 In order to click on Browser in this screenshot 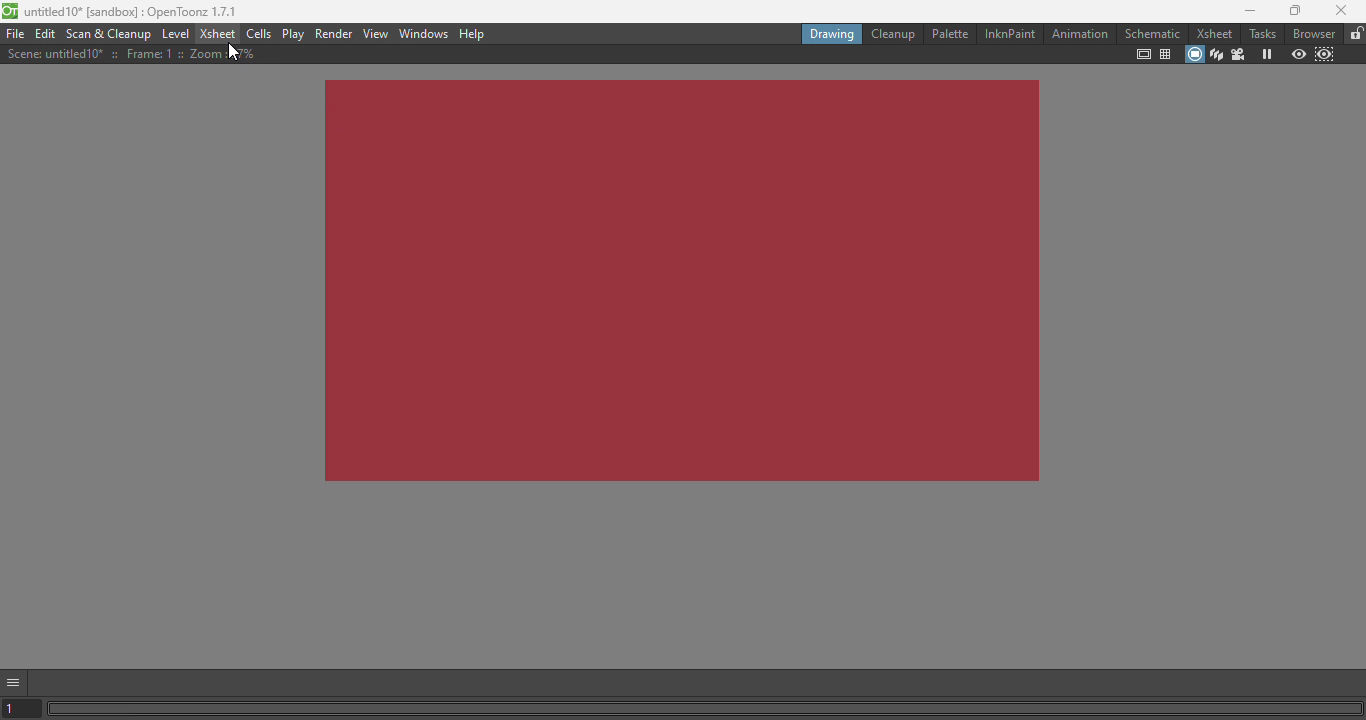, I will do `click(1311, 33)`.